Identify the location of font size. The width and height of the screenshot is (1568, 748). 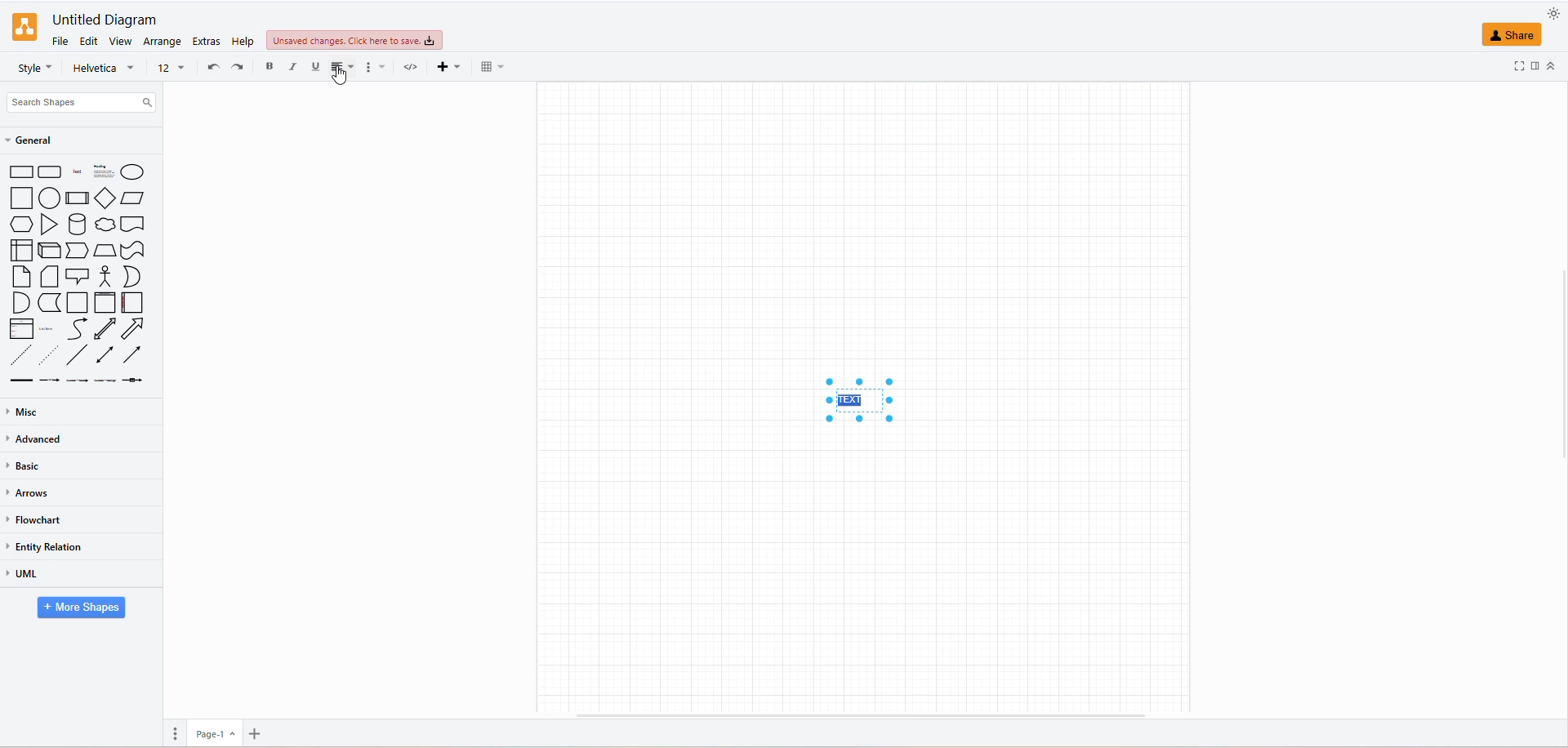
(168, 66).